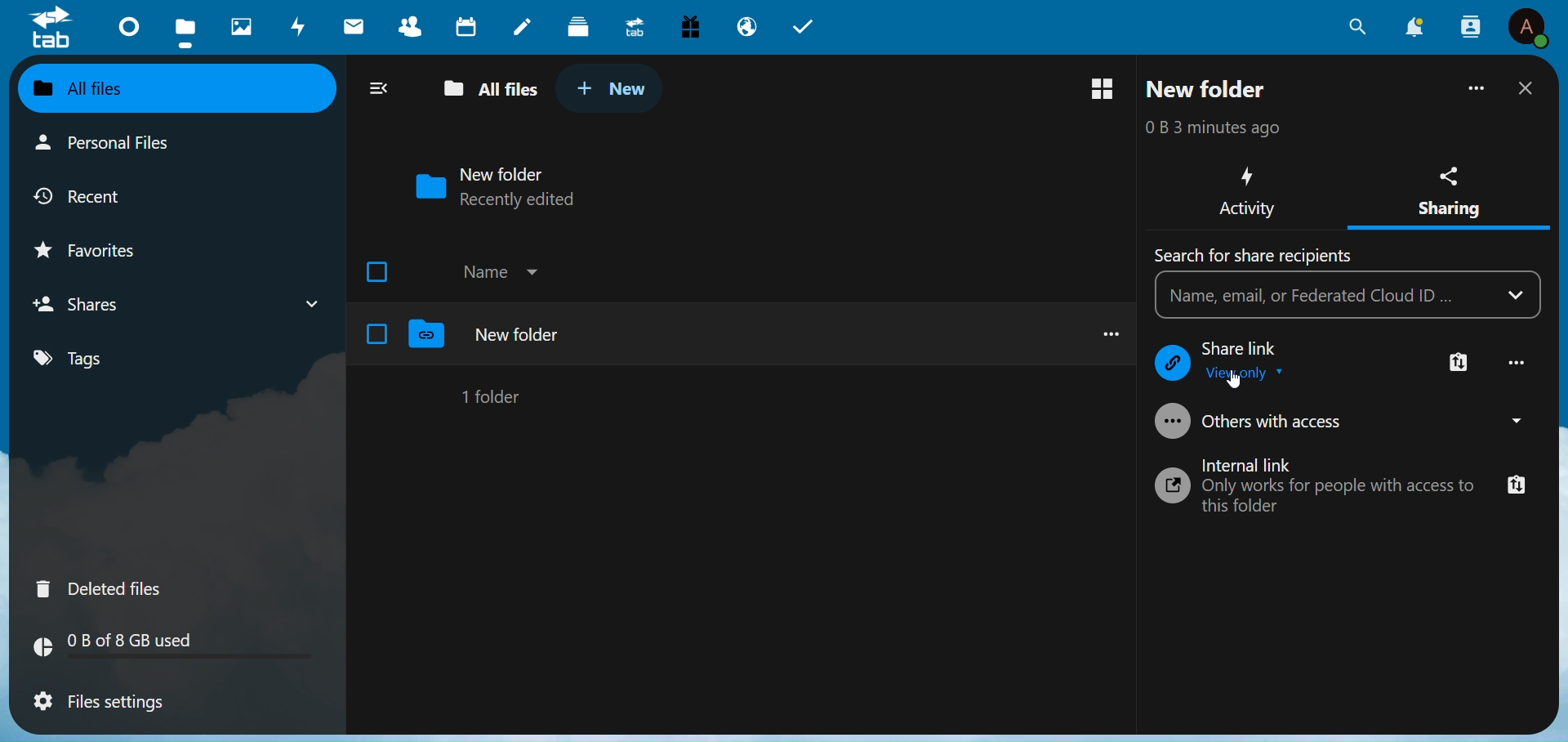  What do you see at coordinates (377, 333) in the screenshot?
I see `Check Box` at bounding box center [377, 333].